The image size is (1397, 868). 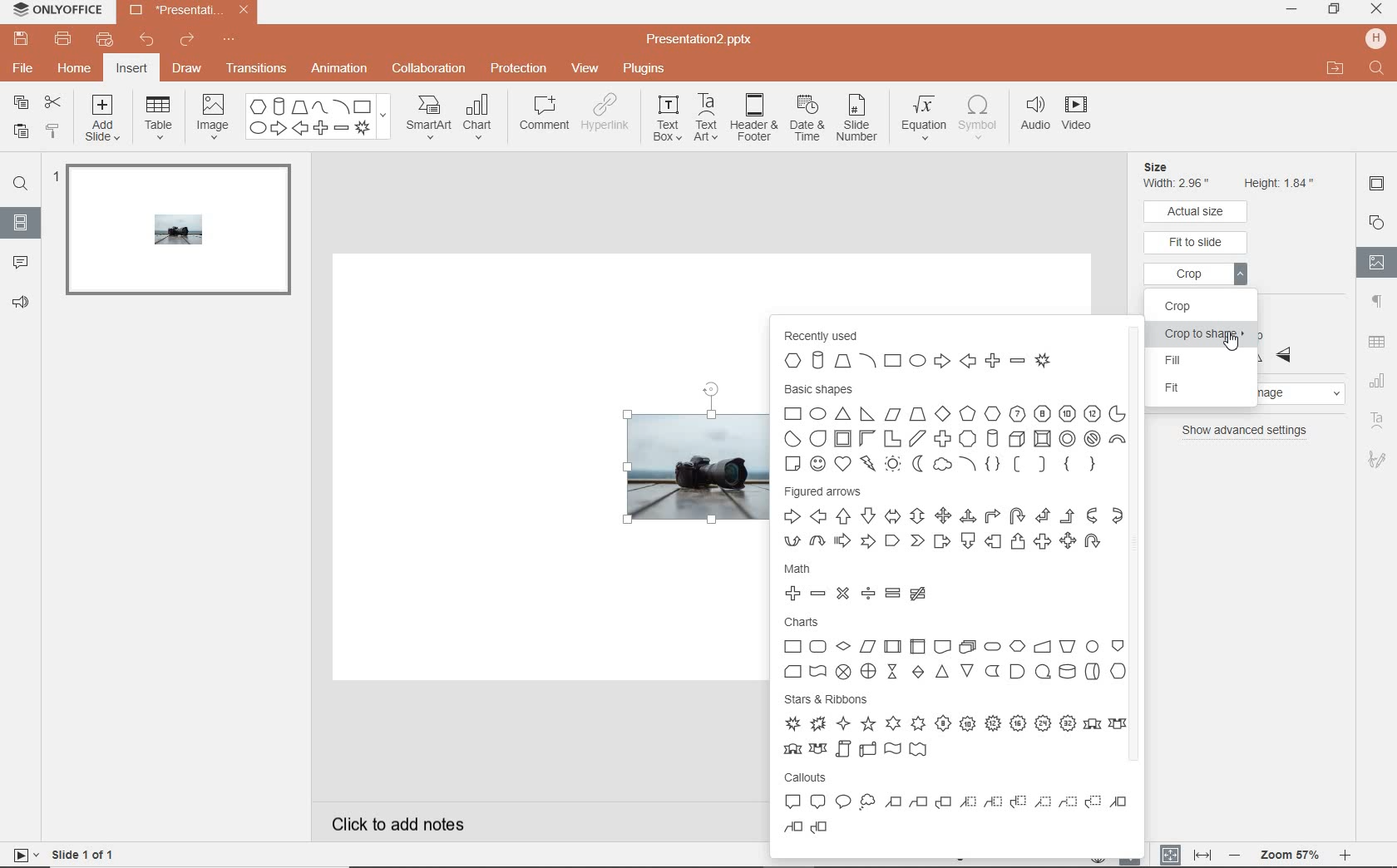 I want to click on basic, so click(x=953, y=427).